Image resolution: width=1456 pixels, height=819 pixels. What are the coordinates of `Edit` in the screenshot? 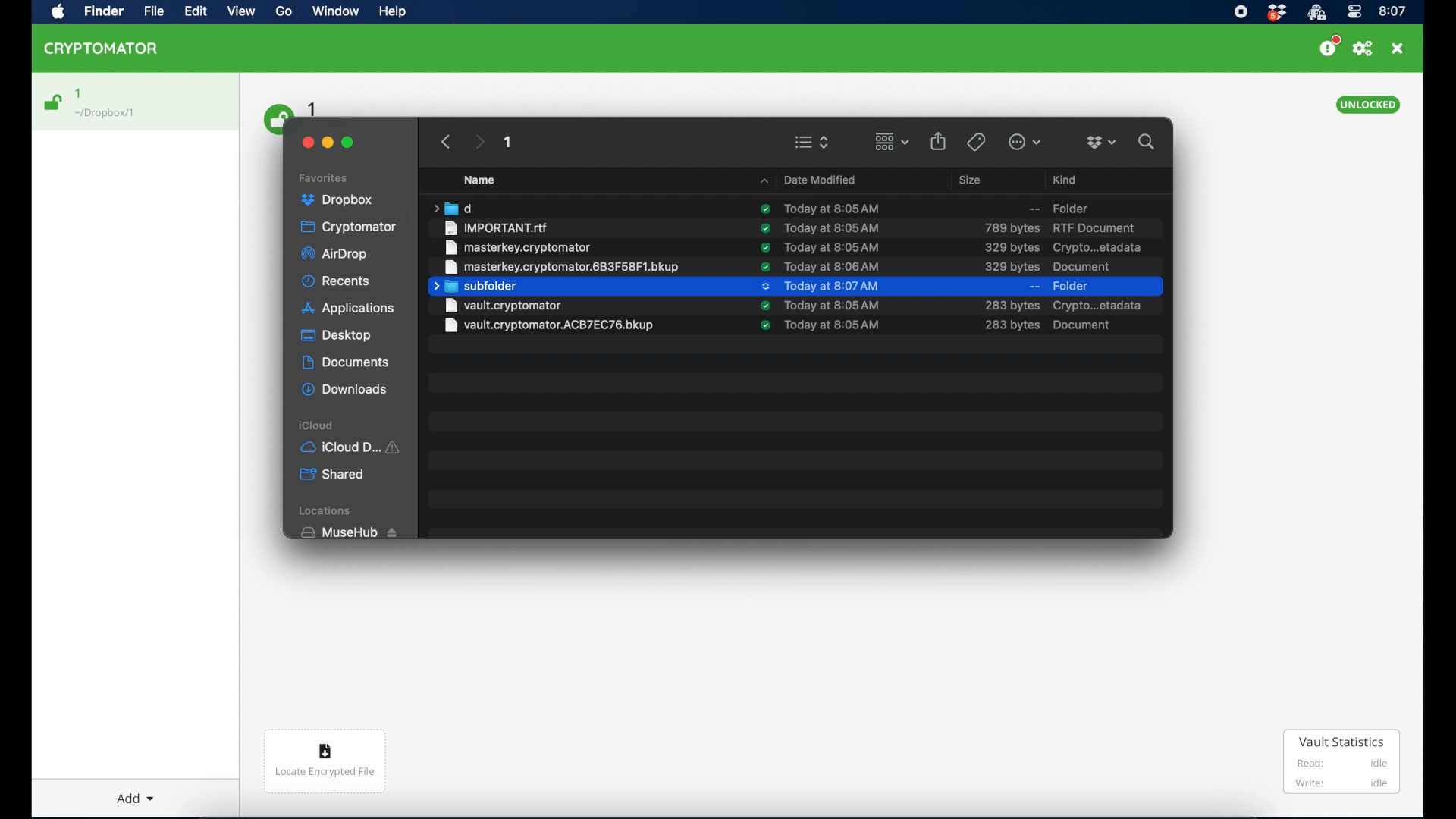 It's located at (197, 12).